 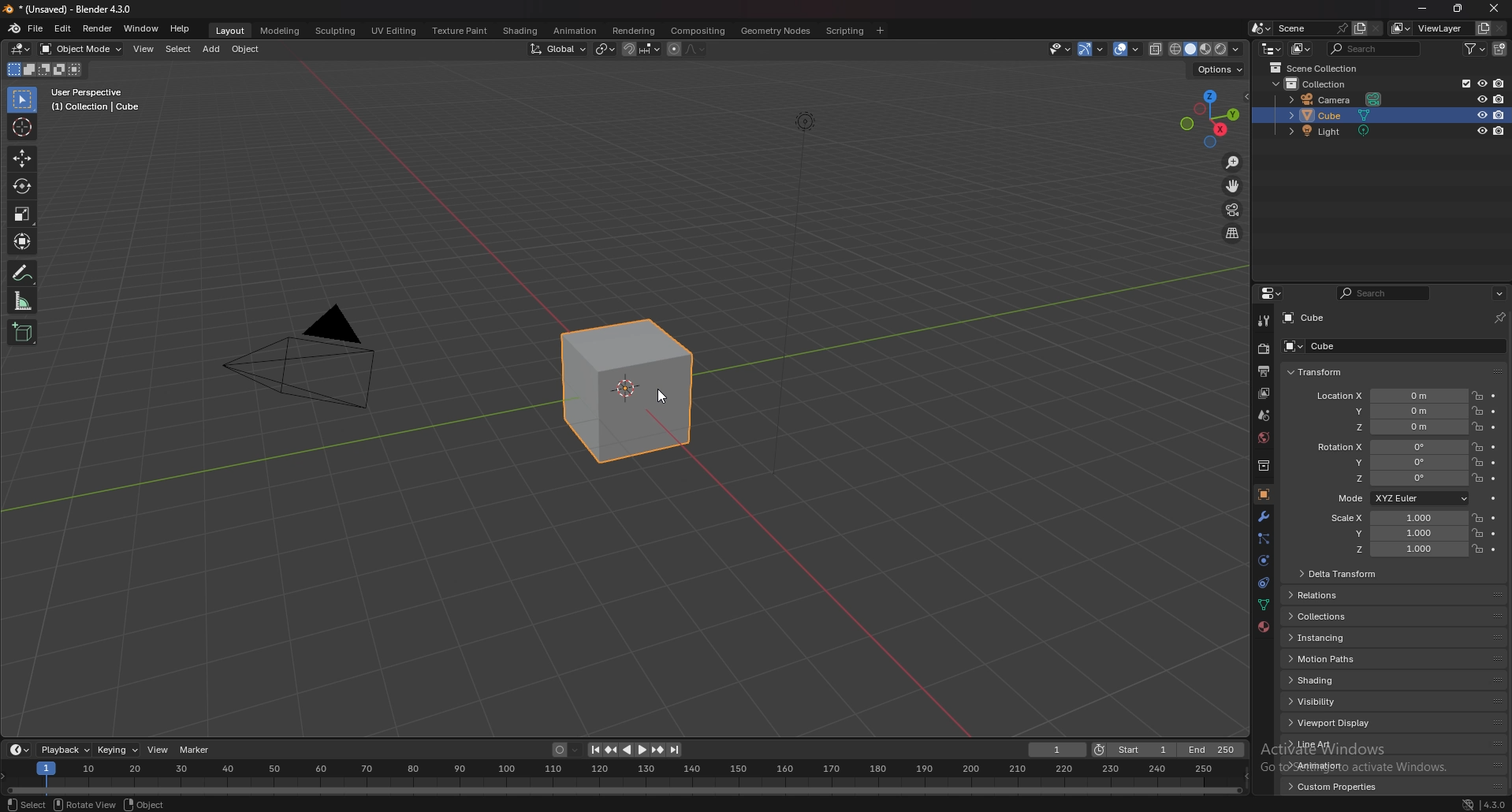 What do you see at coordinates (23, 127) in the screenshot?
I see `cursor` at bounding box center [23, 127].